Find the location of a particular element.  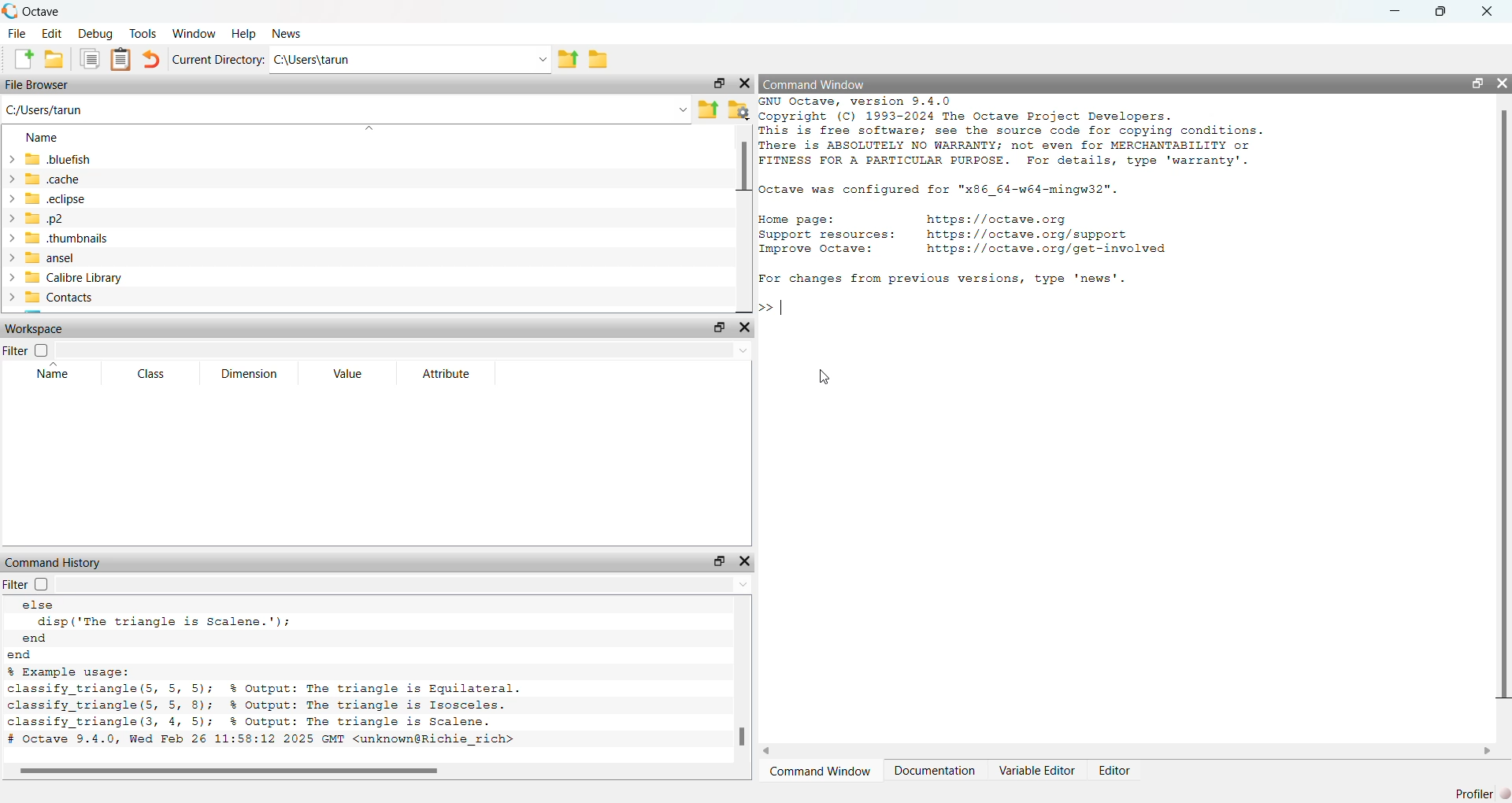

documentation is located at coordinates (935, 770).